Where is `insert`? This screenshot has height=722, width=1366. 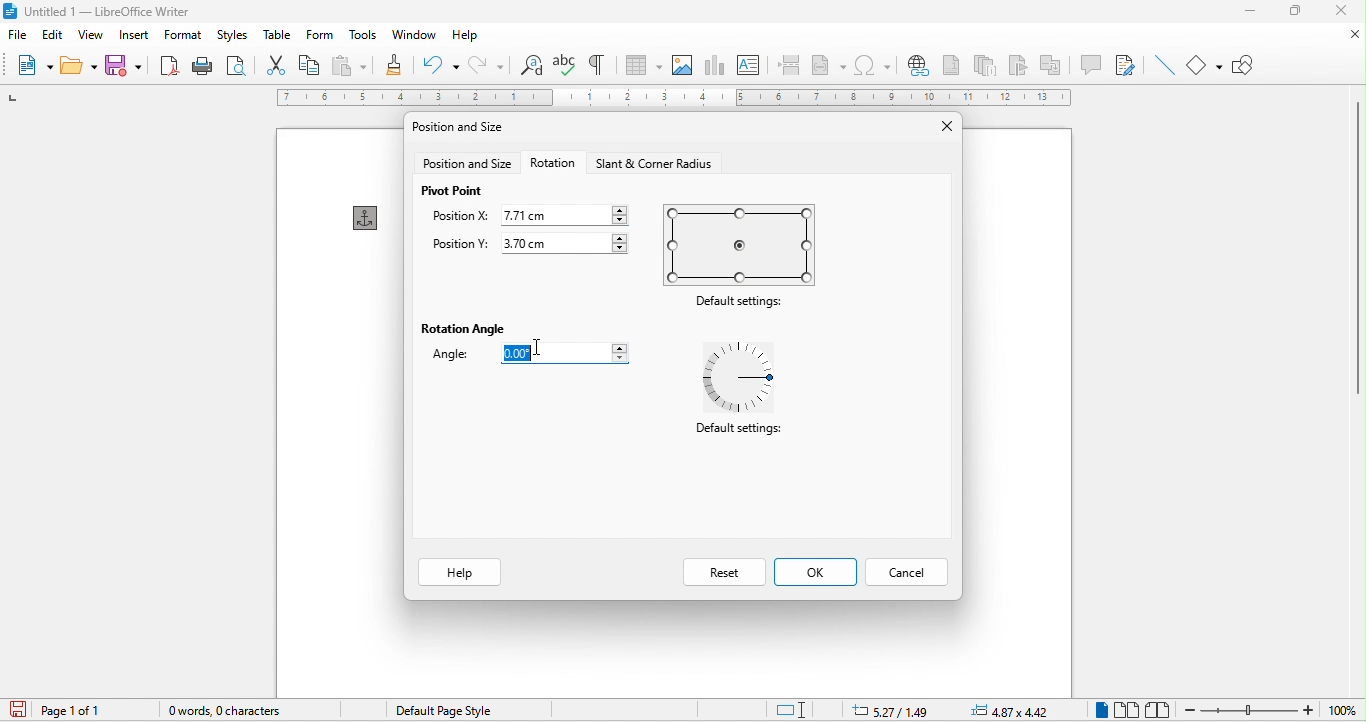
insert is located at coordinates (133, 36).